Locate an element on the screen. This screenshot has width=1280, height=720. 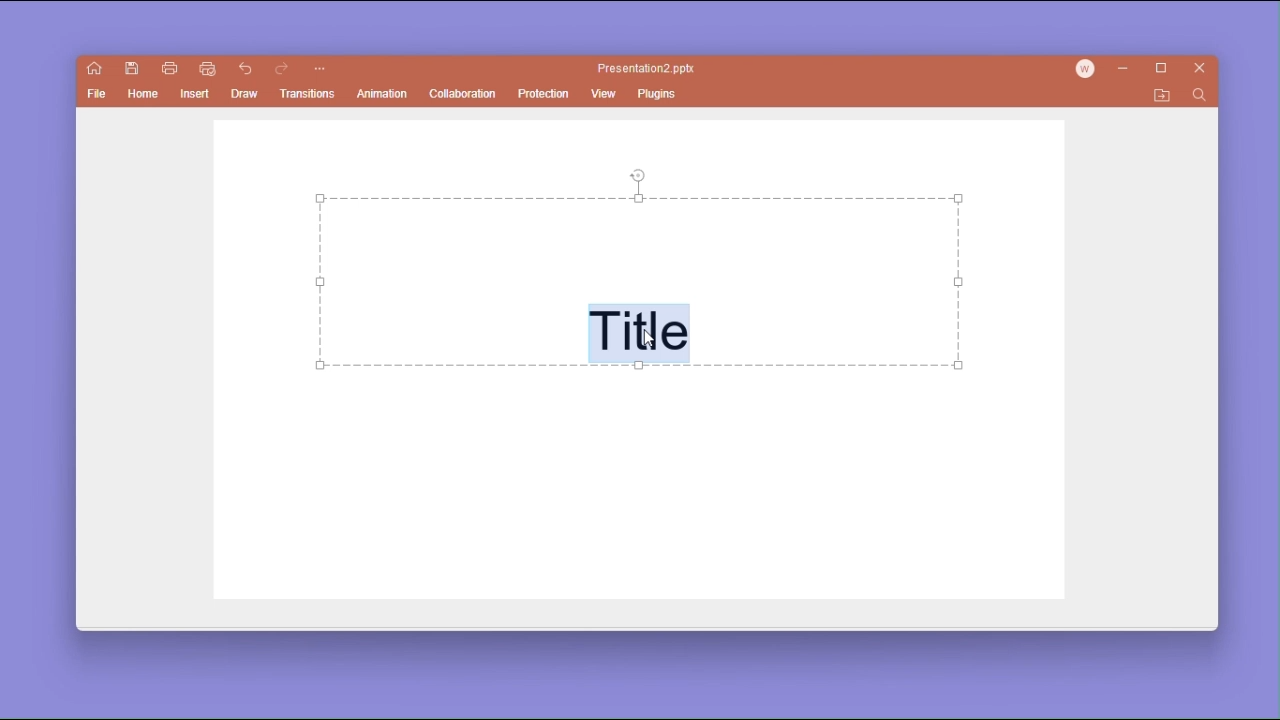
home is located at coordinates (144, 97).